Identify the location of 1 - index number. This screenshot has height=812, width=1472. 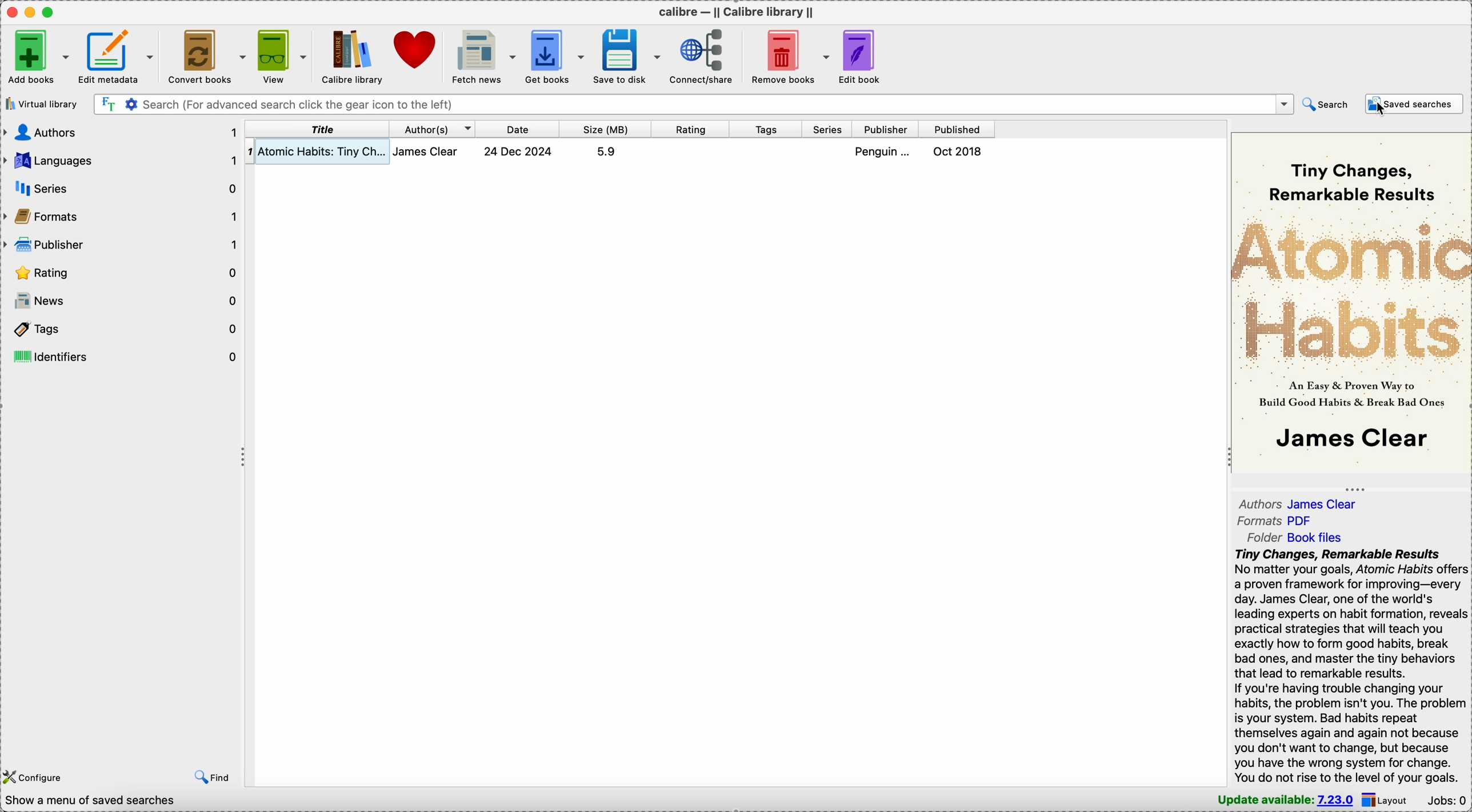
(250, 151).